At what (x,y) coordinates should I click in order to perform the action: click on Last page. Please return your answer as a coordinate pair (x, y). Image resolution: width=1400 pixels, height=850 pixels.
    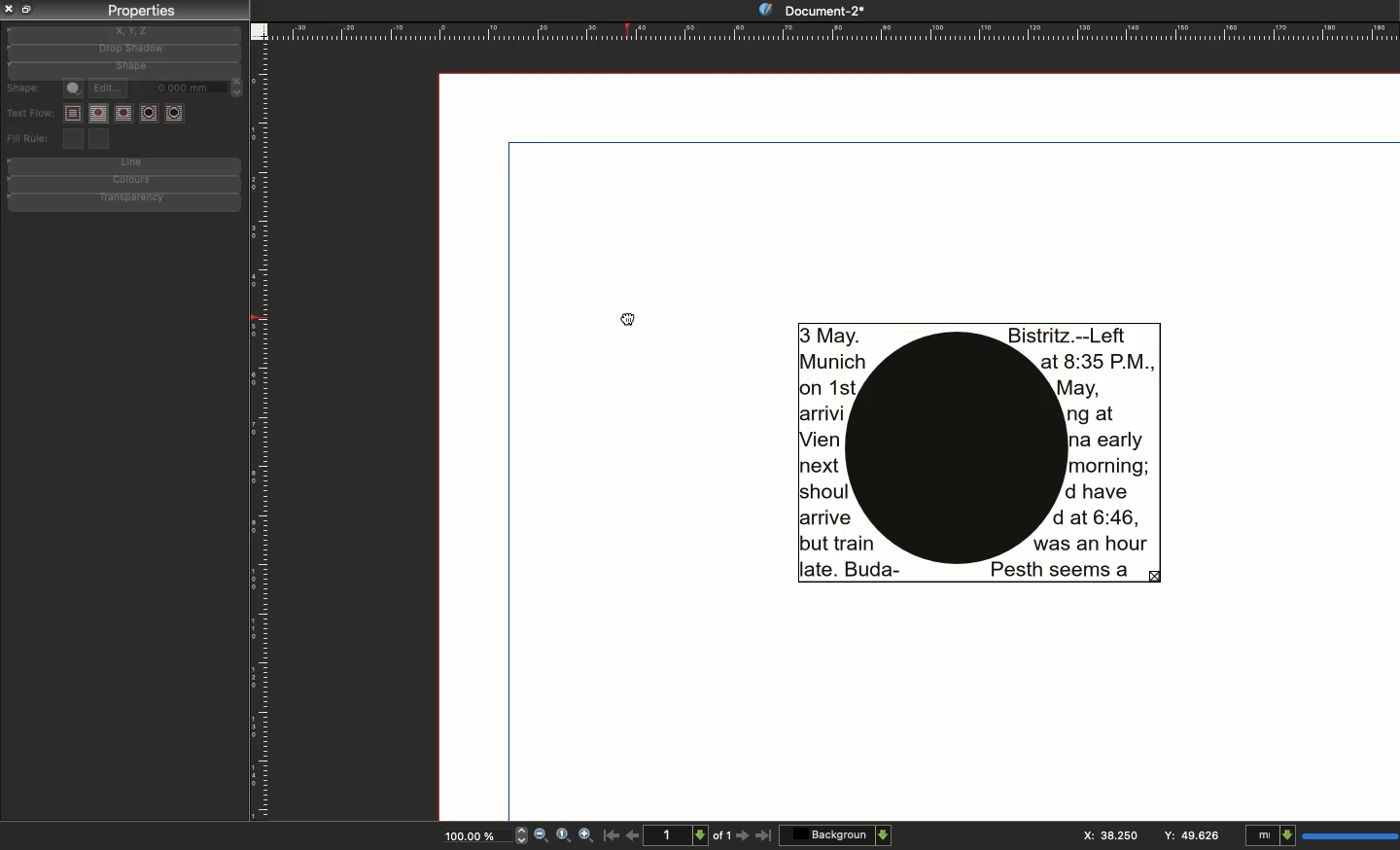
    Looking at the image, I should click on (764, 838).